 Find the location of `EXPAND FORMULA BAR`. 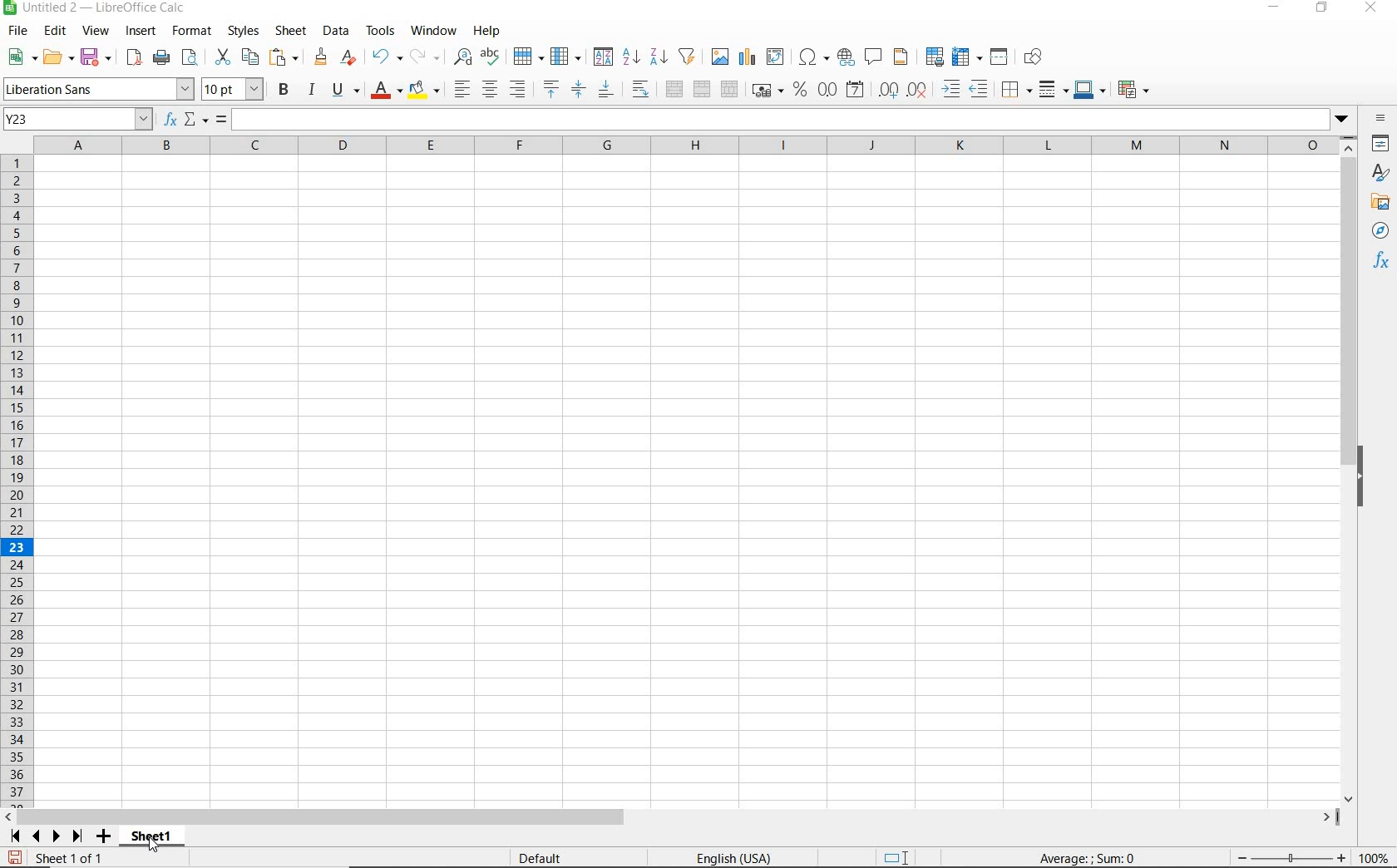

EXPAND FORMULA BAR is located at coordinates (794, 120).